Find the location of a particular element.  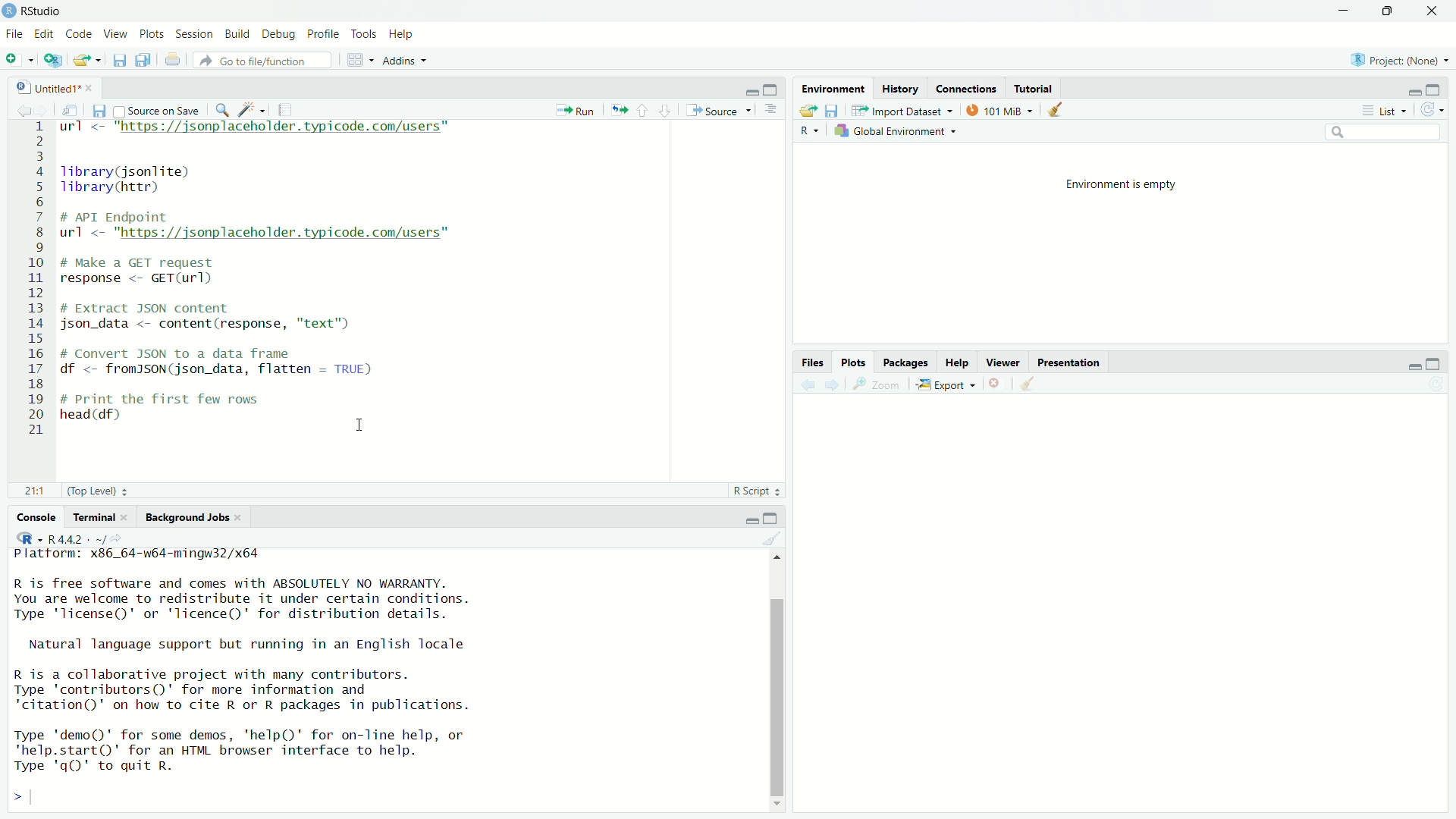

Untitled 1 is located at coordinates (55, 88).